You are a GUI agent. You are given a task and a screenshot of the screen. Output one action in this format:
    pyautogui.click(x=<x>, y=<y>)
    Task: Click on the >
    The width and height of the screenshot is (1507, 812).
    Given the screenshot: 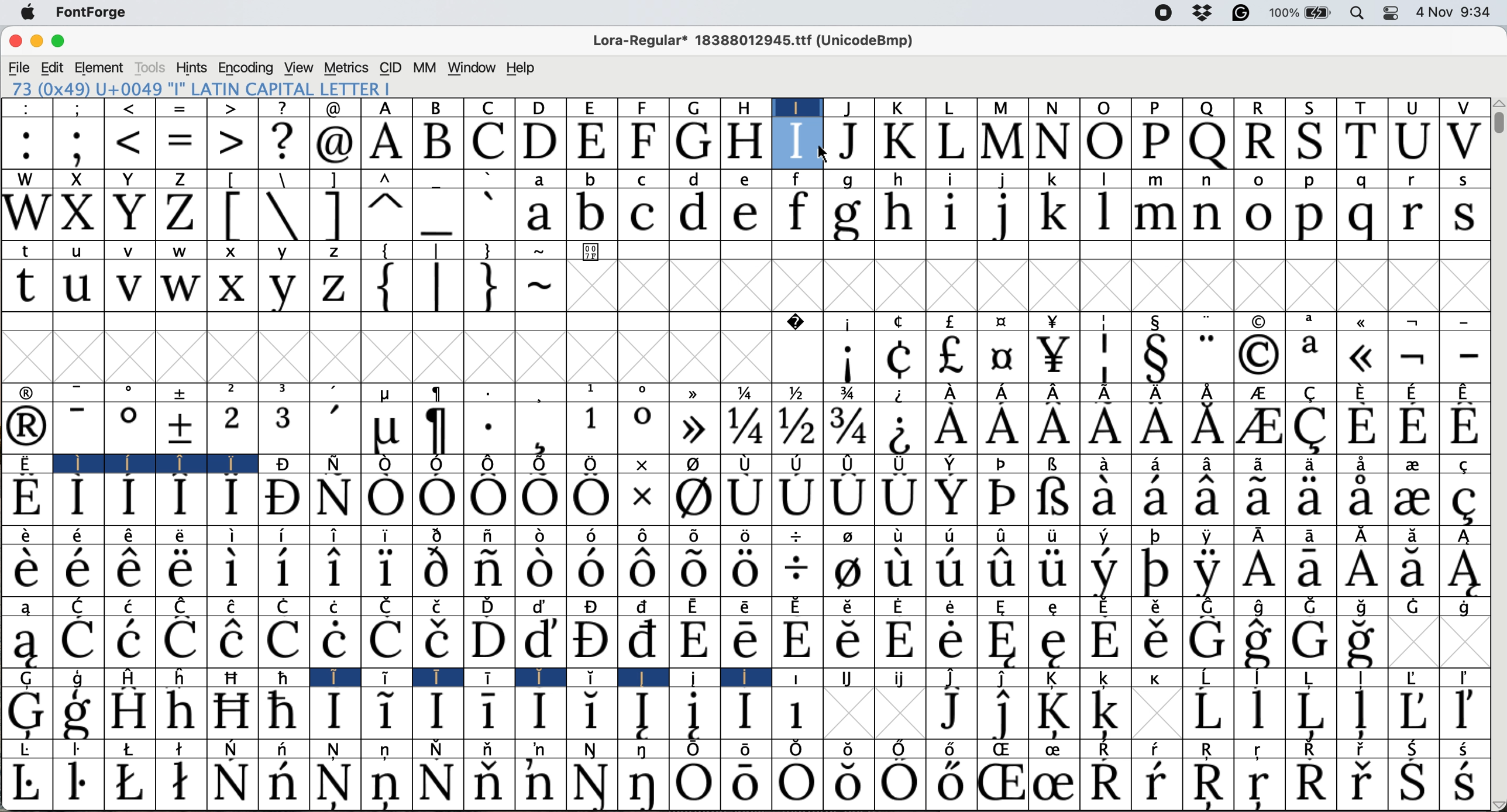 What is the action you would take?
    pyautogui.click(x=232, y=142)
    